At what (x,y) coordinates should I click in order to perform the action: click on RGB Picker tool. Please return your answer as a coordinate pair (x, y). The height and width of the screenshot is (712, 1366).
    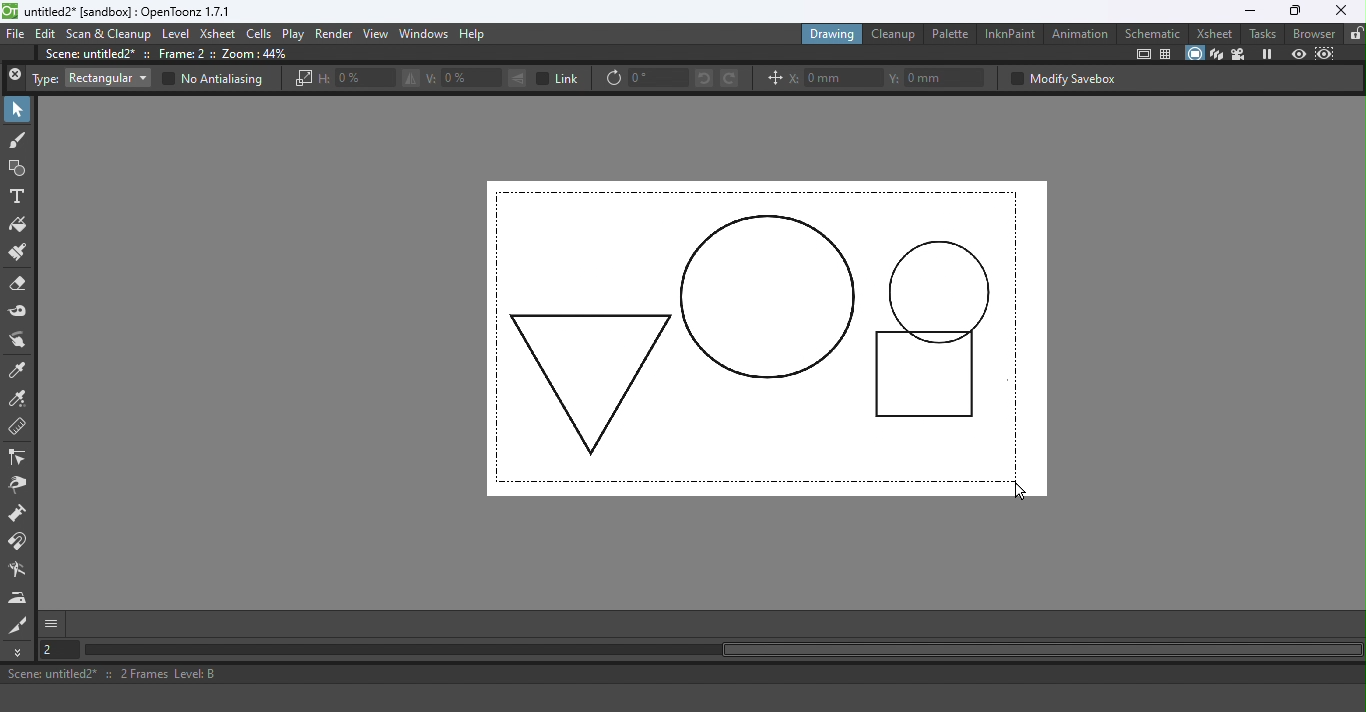
    Looking at the image, I should click on (19, 400).